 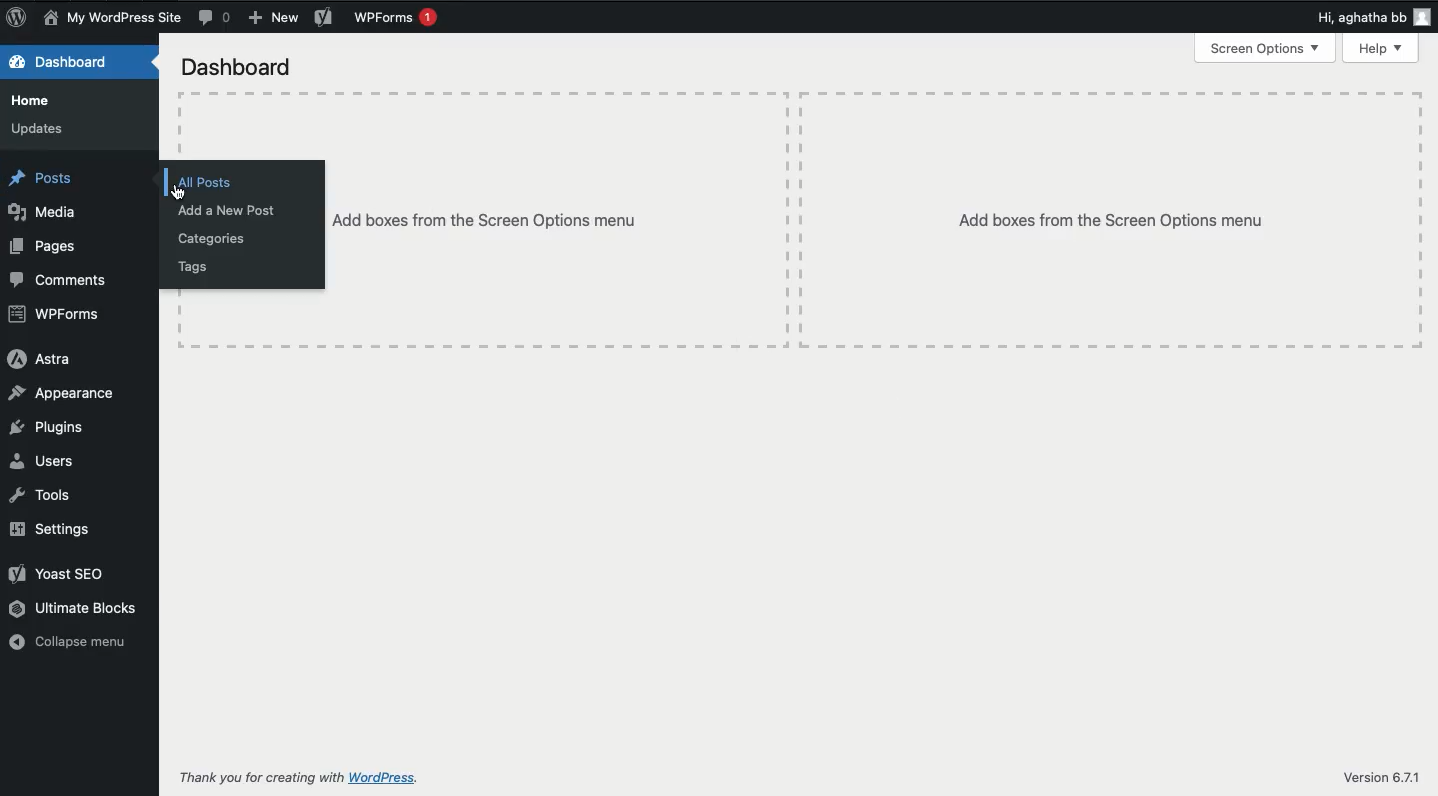 I want to click on Tags, so click(x=201, y=265).